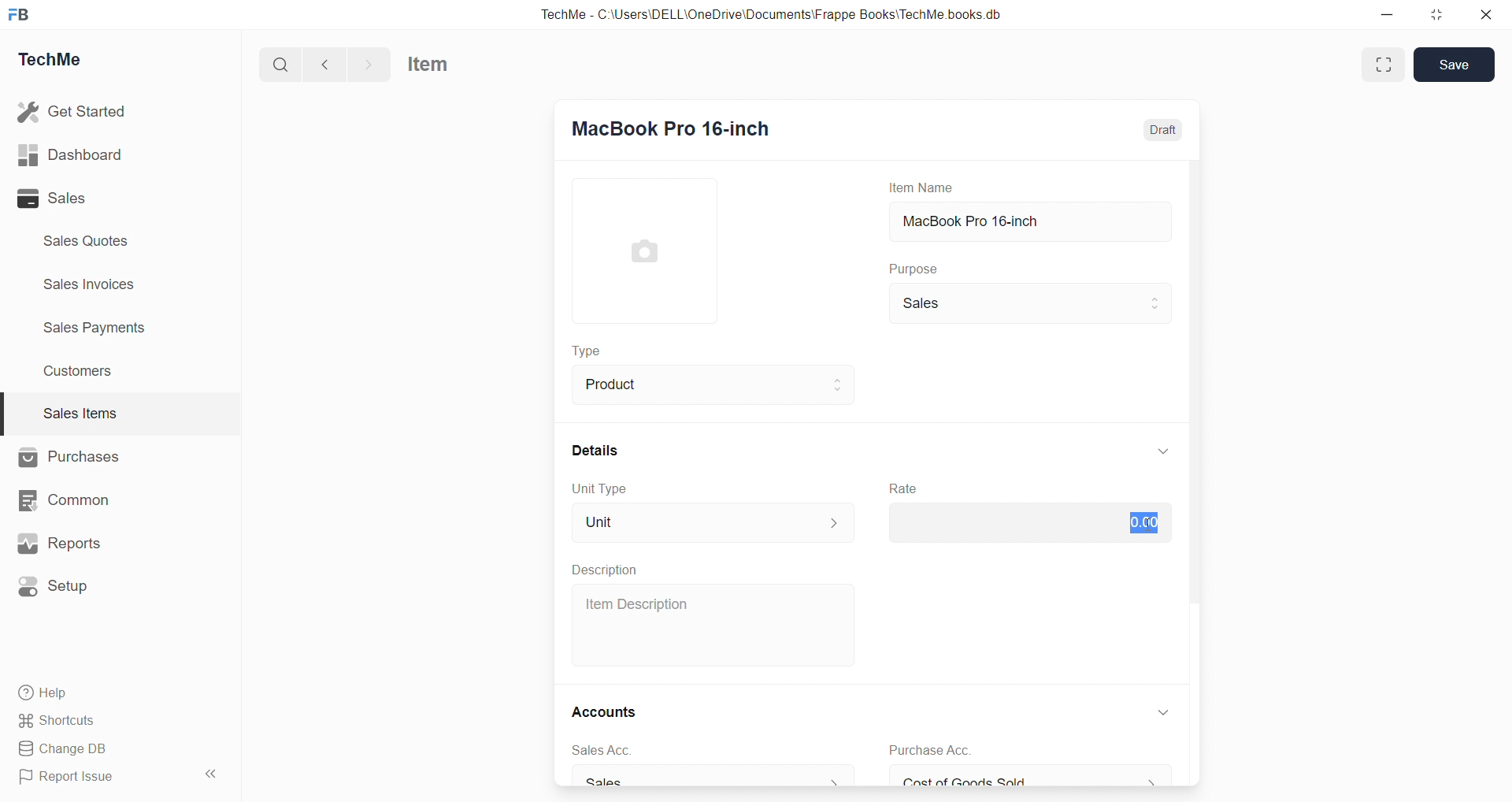 Image resolution: width=1512 pixels, height=802 pixels. Describe the element at coordinates (608, 570) in the screenshot. I see `Description` at that location.